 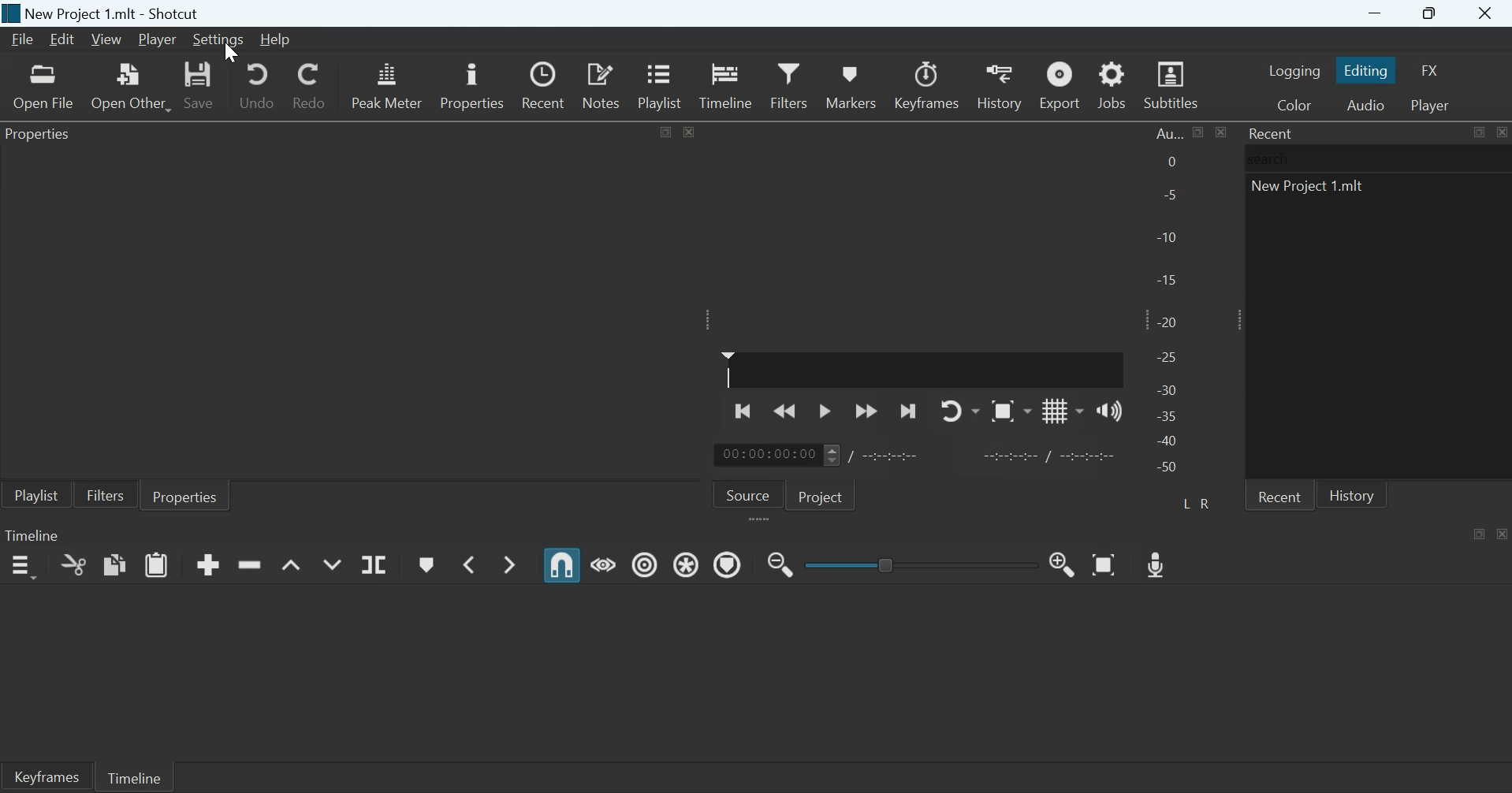 I want to click on Properties, so click(x=43, y=136).